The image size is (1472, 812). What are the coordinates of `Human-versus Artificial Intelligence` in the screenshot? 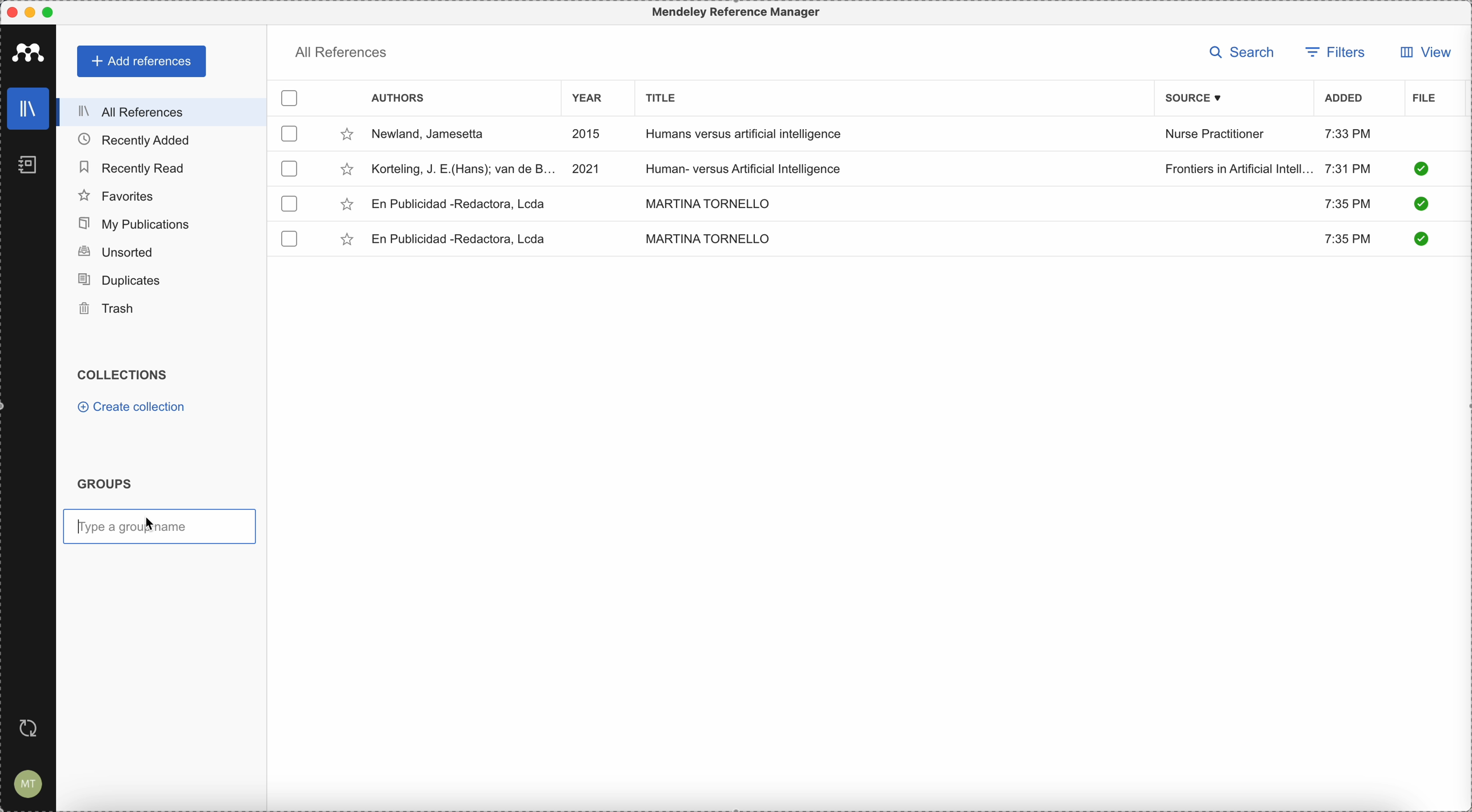 It's located at (754, 167).